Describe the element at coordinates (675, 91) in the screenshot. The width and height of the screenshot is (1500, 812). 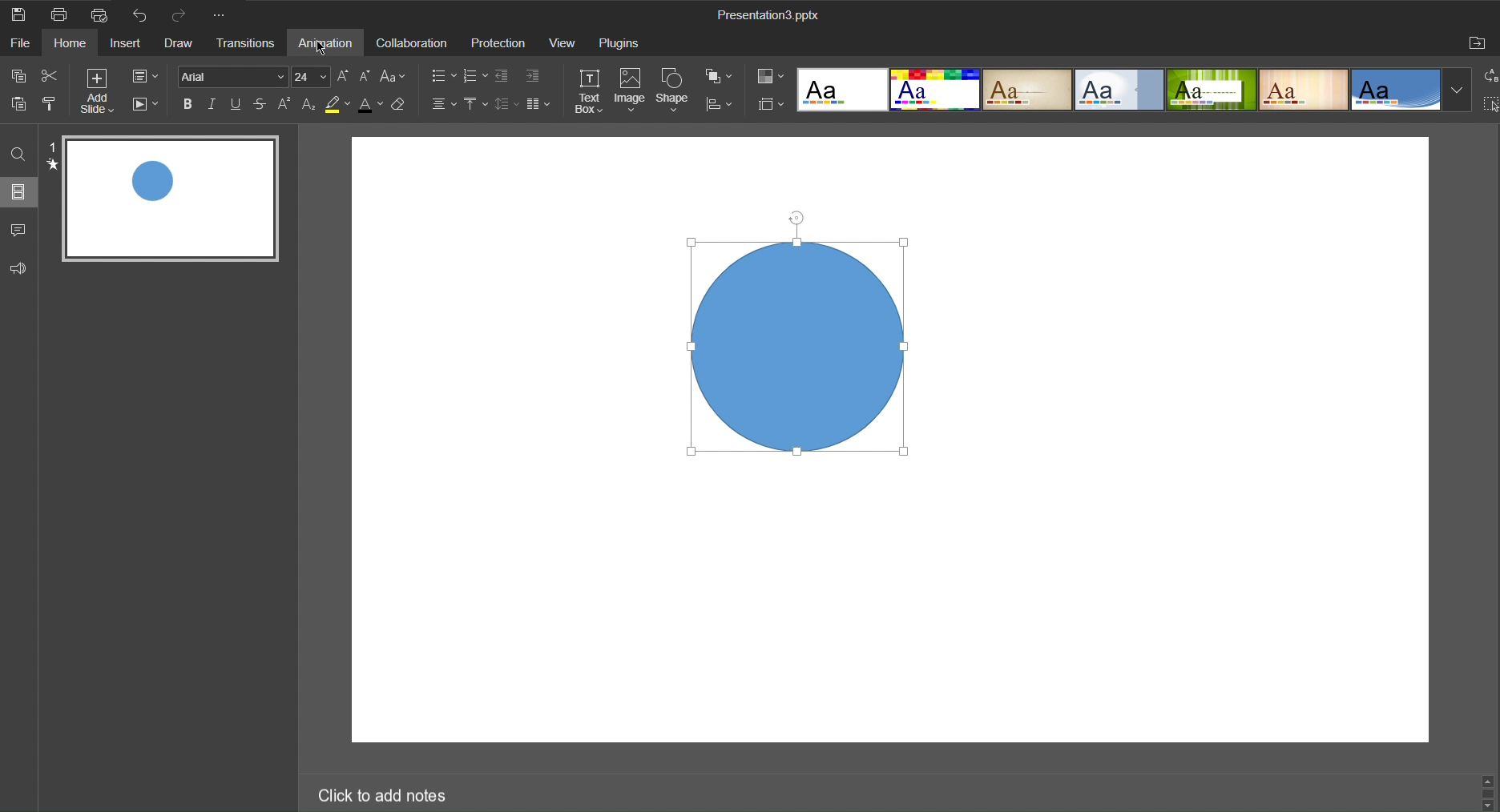
I see `Shape` at that location.